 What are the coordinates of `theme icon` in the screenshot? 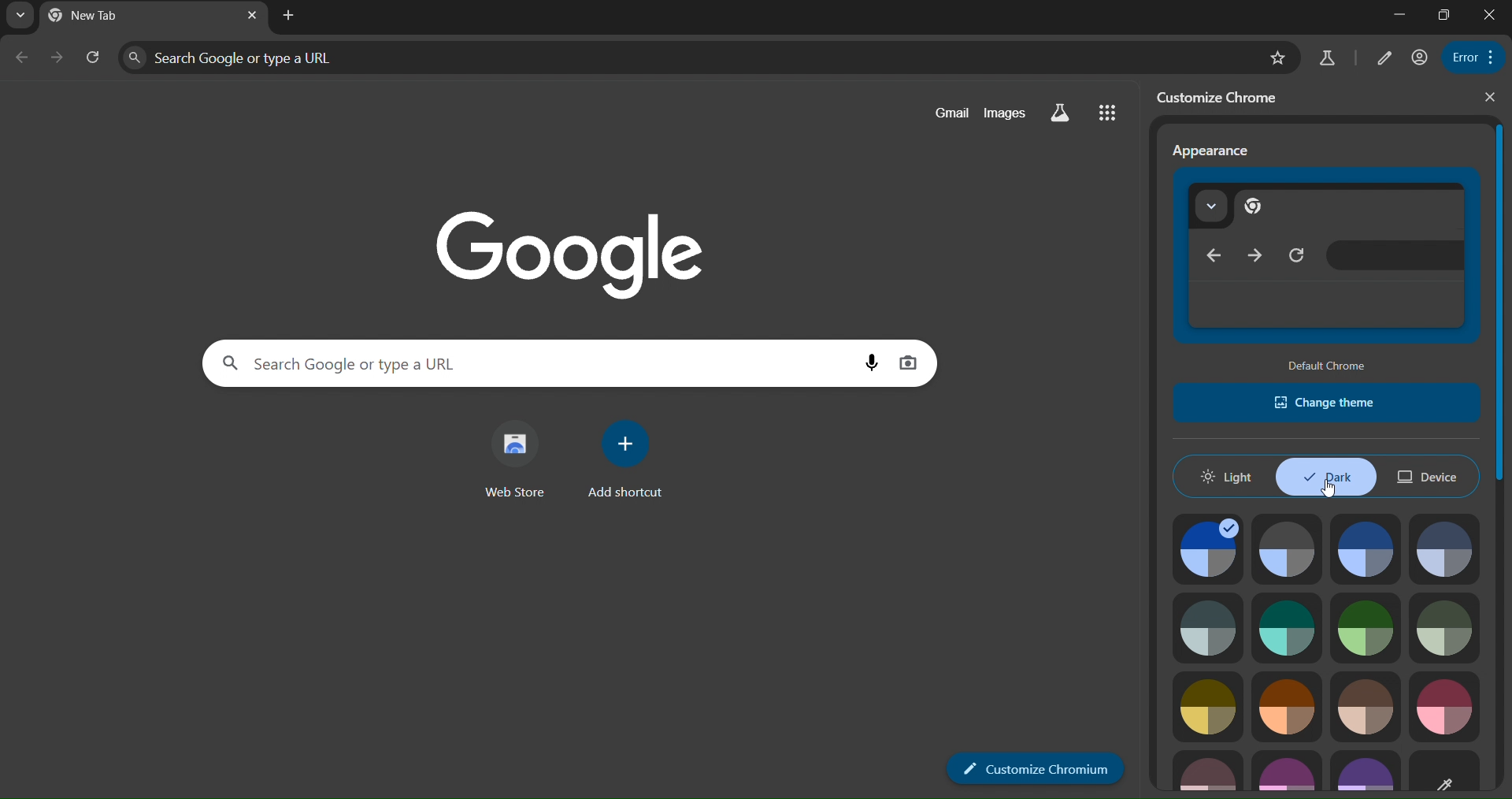 It's located at (1286, 707).